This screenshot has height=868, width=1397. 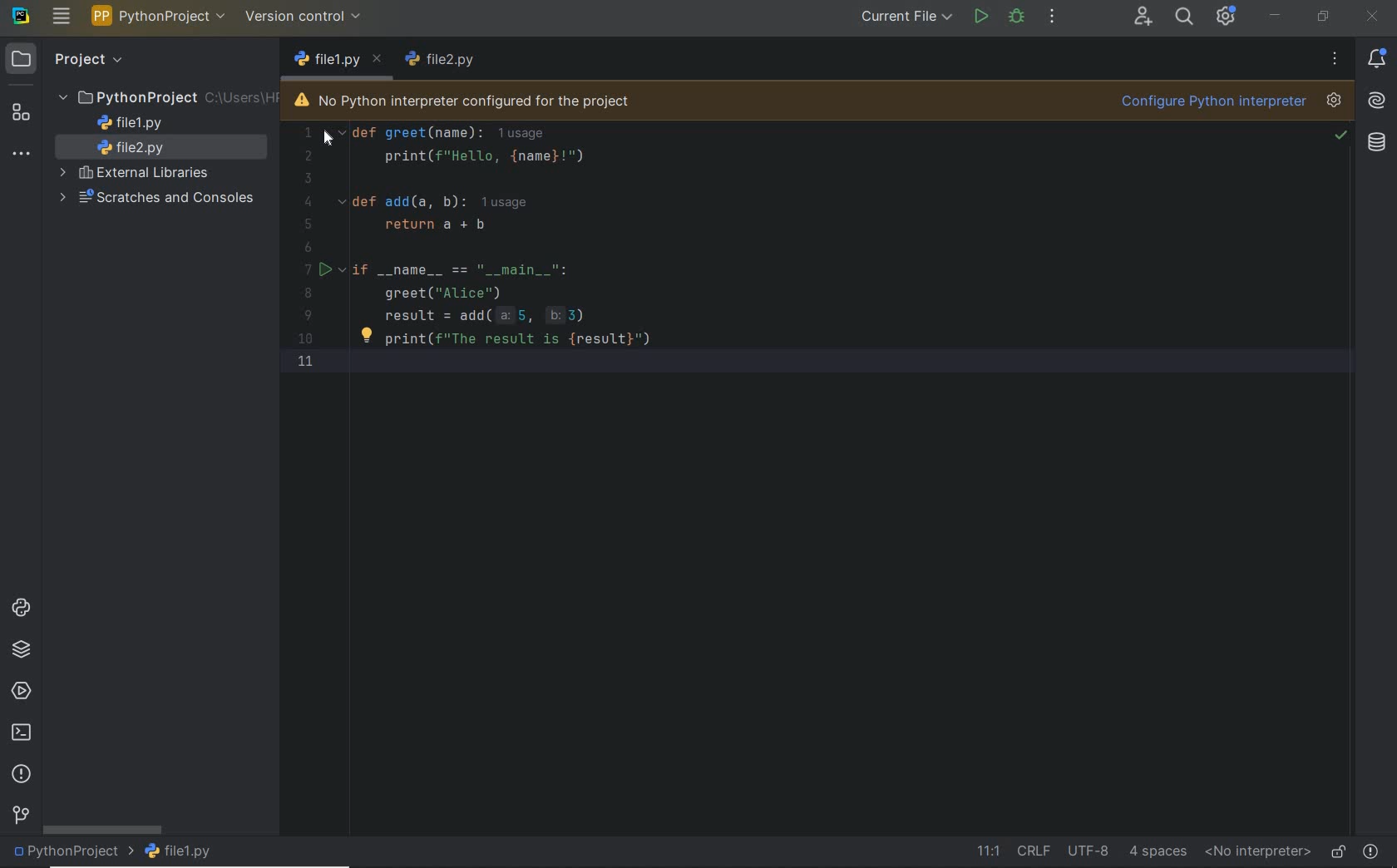 I want to click on scratches and consoles, so click(x=160, y=199).